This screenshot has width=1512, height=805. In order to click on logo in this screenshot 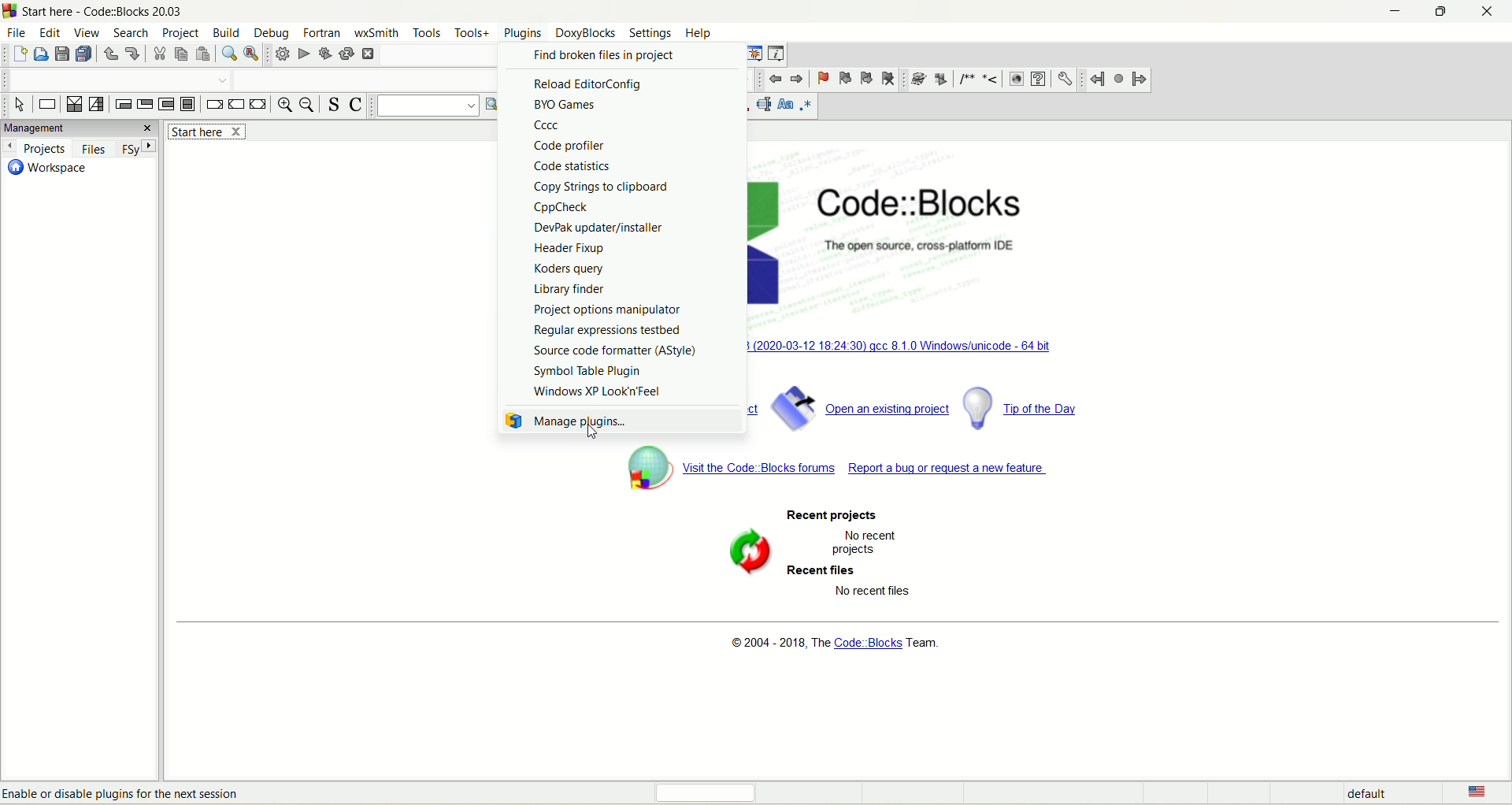, I will do `click(10, 11)`.